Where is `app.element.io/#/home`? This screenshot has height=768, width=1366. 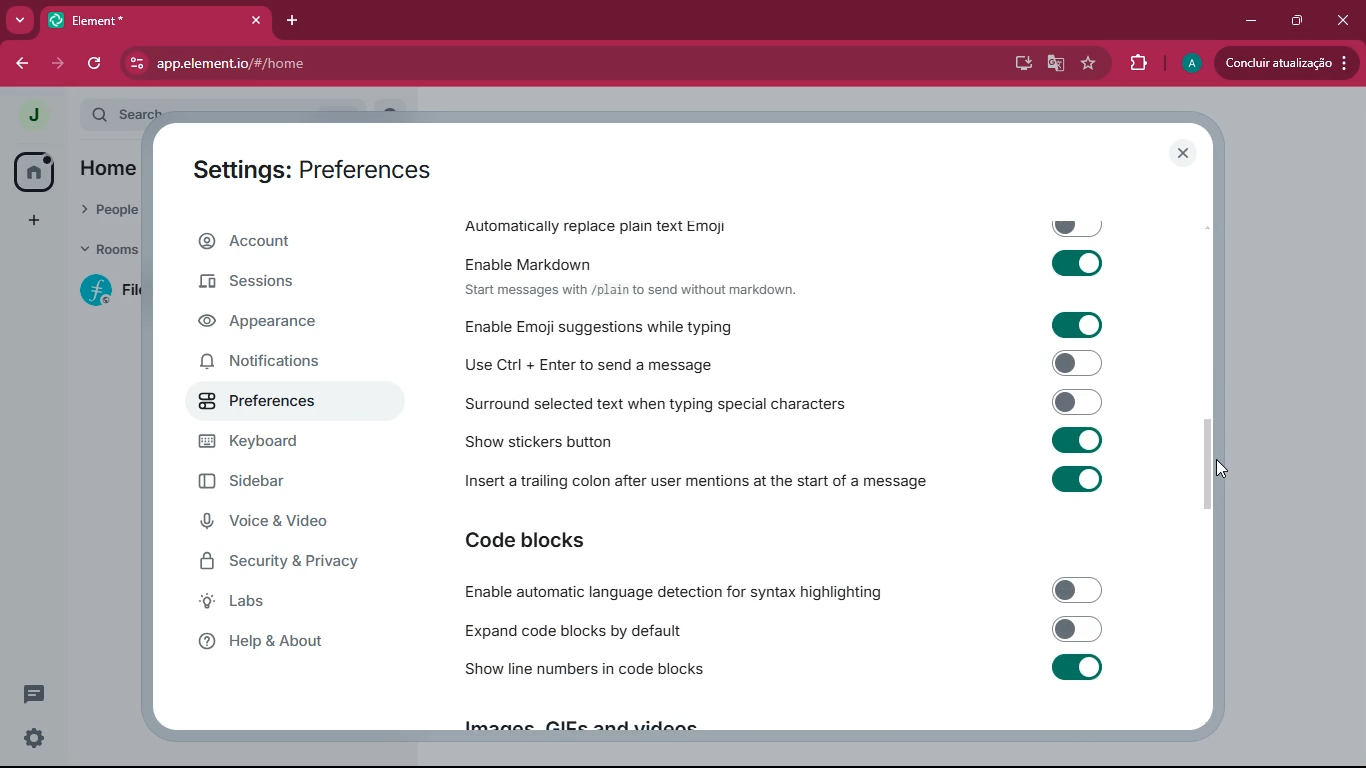 app.element.io/#/home is located at coordinates (318, 63).